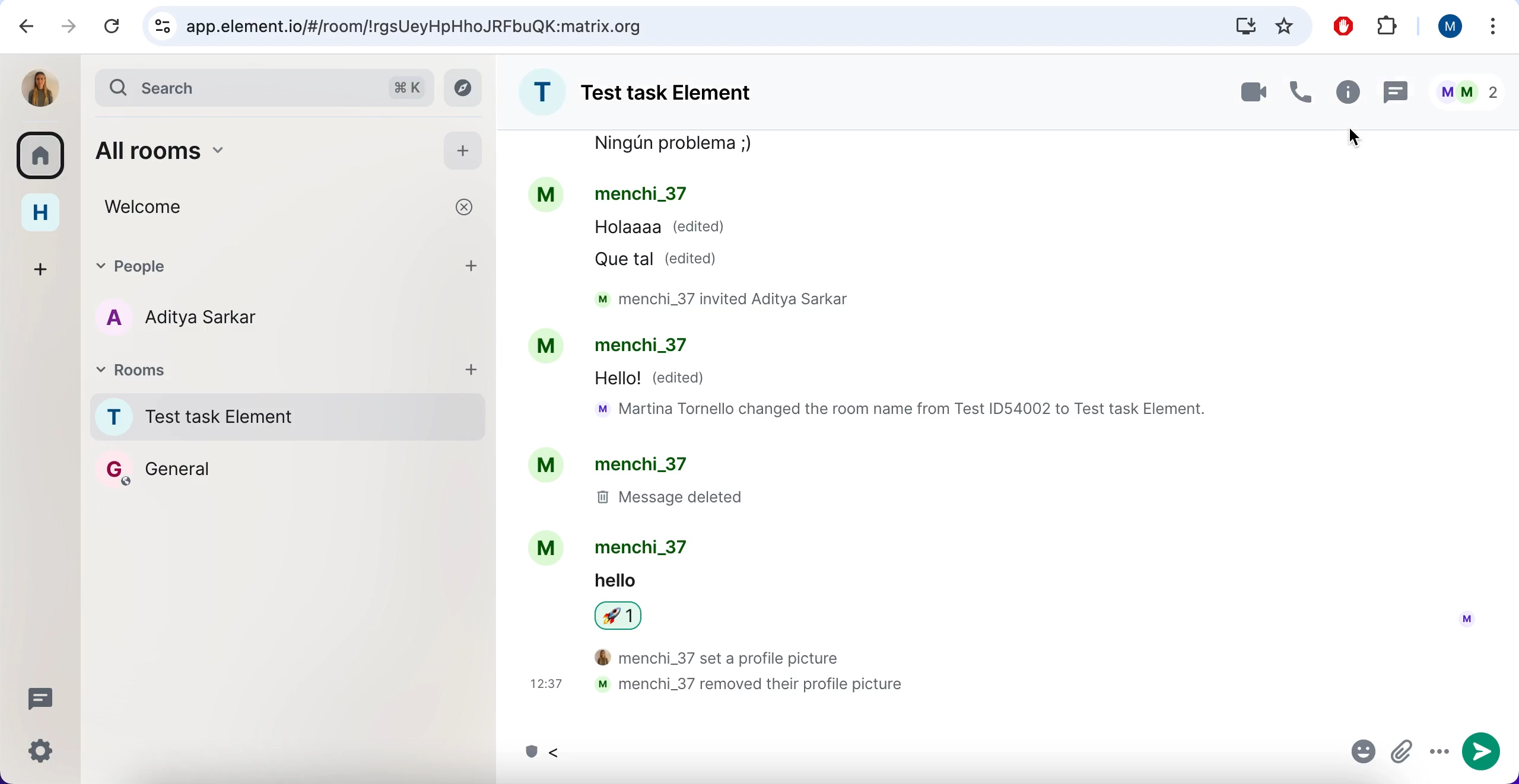  Describe the element at coordinates (1244, 92) in the screenshot. I see `video call` at that location.